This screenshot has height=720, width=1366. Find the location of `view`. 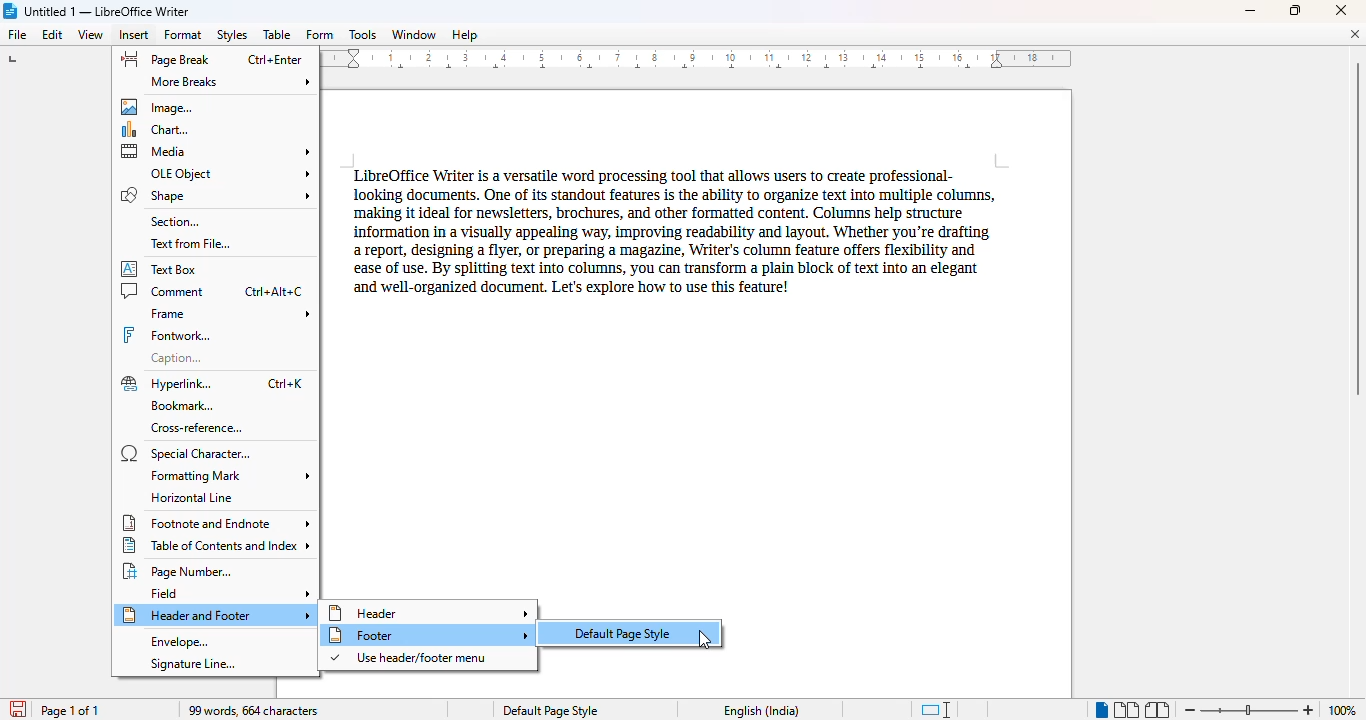

view is located at coordinates (90, 35).